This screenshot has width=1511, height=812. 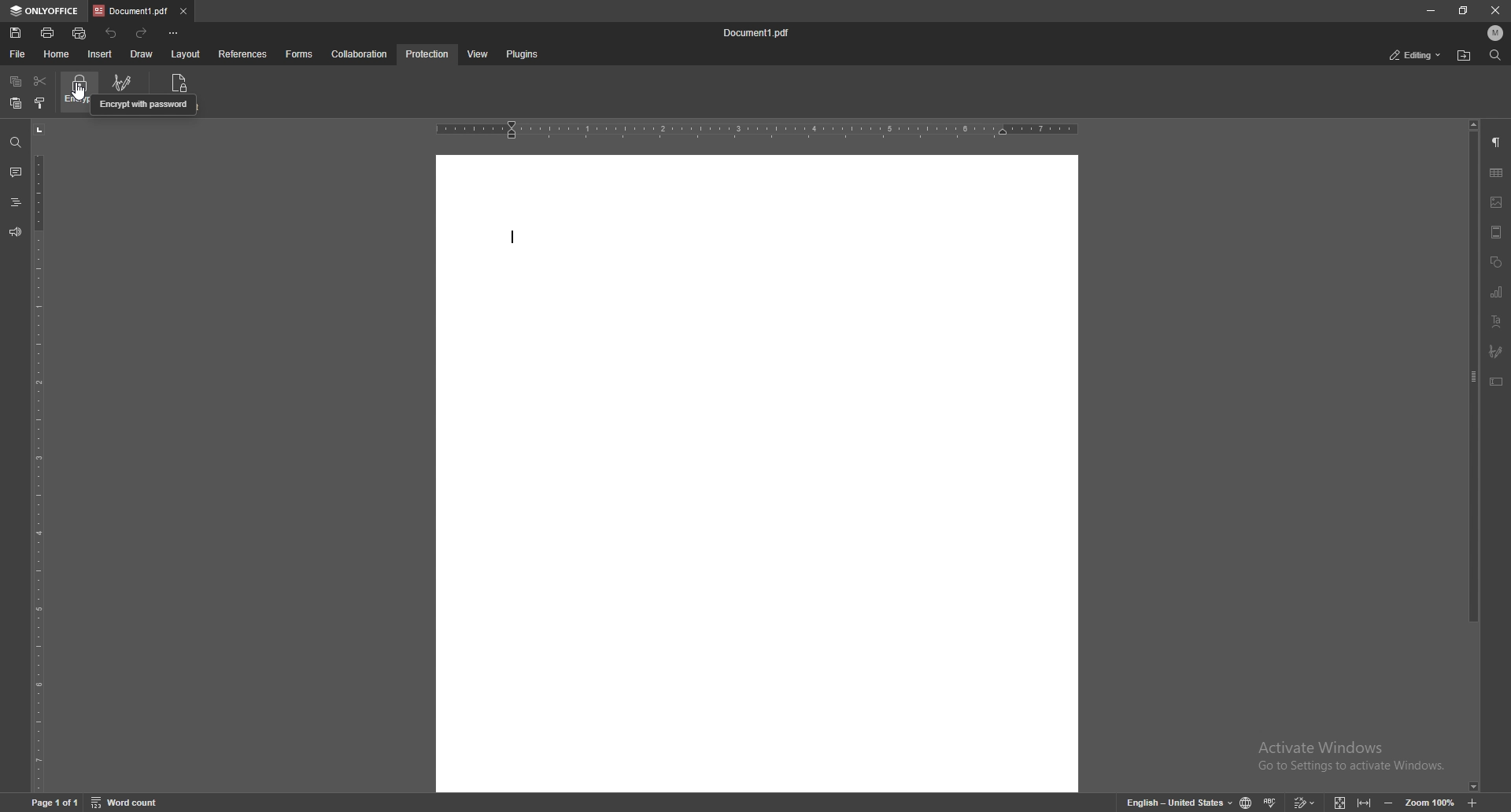 I want to click on resize, so click(x=1465, y=11).